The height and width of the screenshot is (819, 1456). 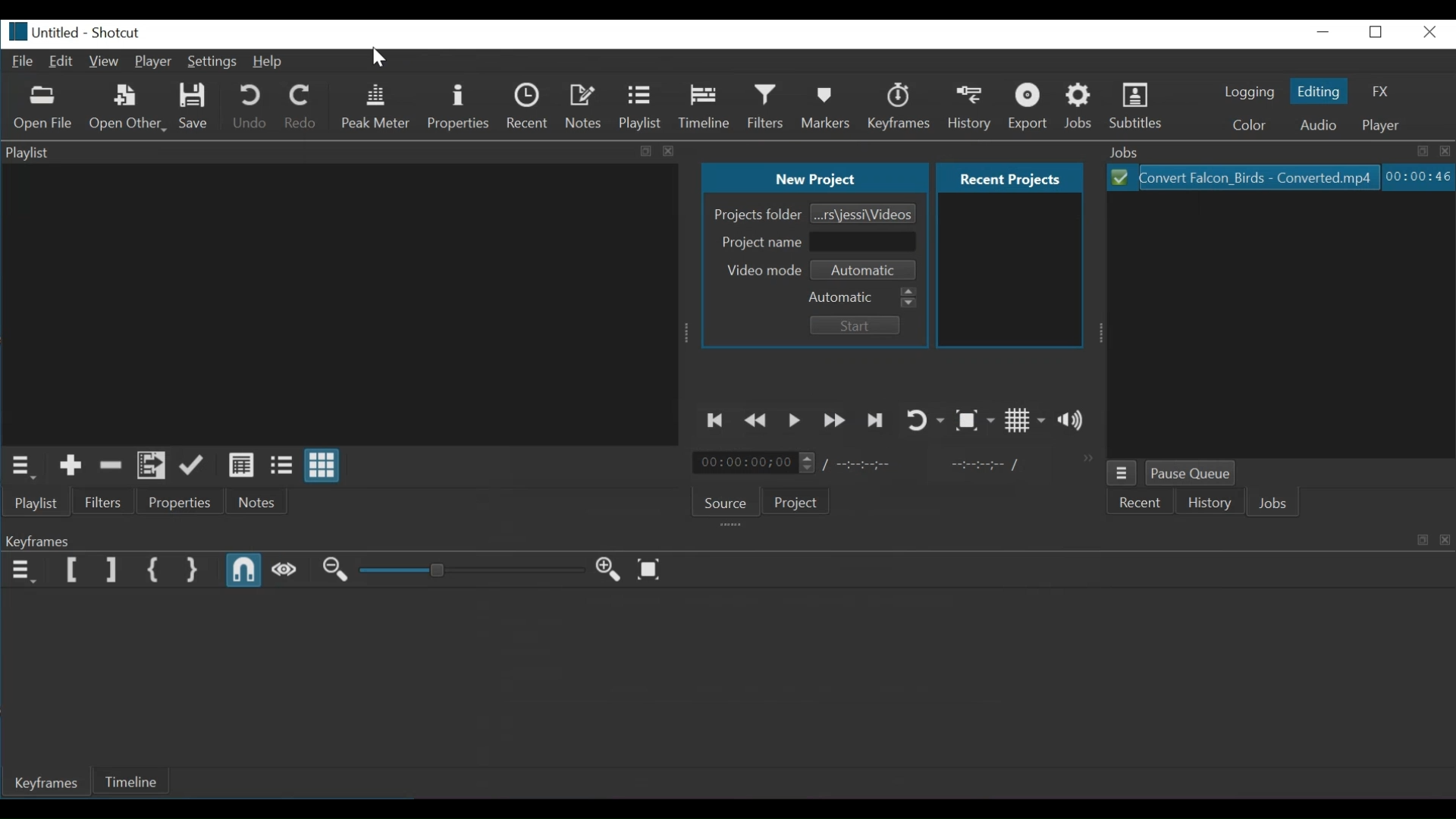 What do you see at coordinates (642, 108) in the screenshot?
I see `Playlist` at bounding box center [642, 108].